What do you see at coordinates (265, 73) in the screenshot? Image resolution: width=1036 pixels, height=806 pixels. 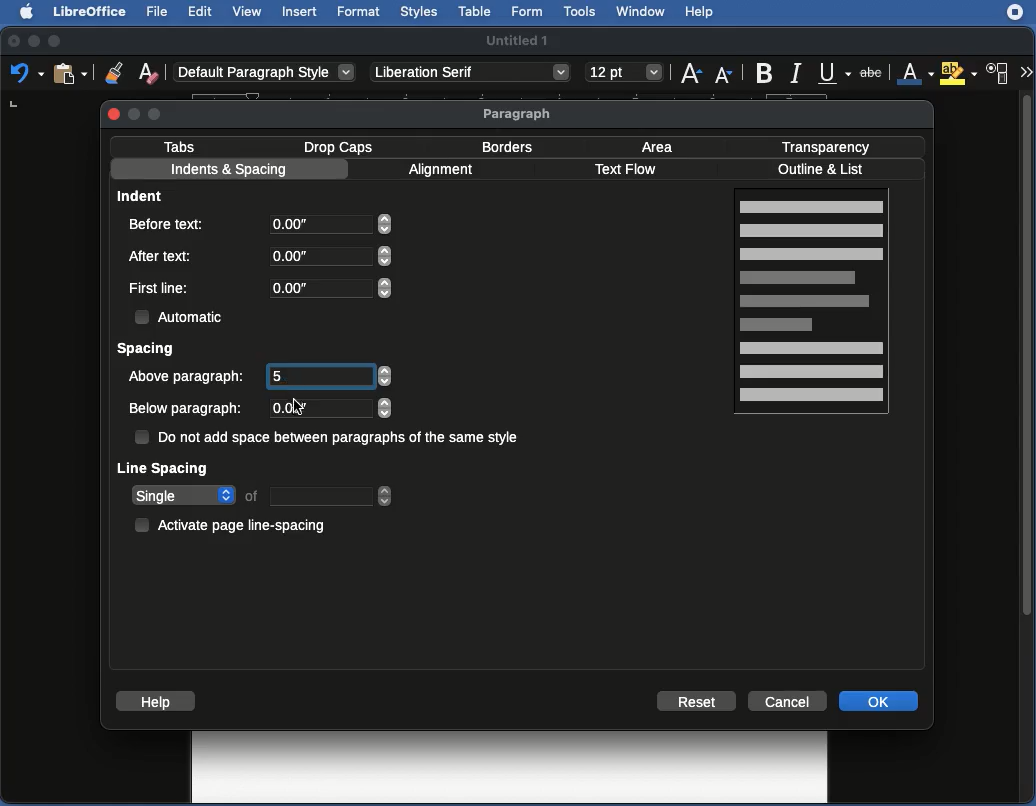 I see `Default paragraph styl` at bounding box center [265, 73].